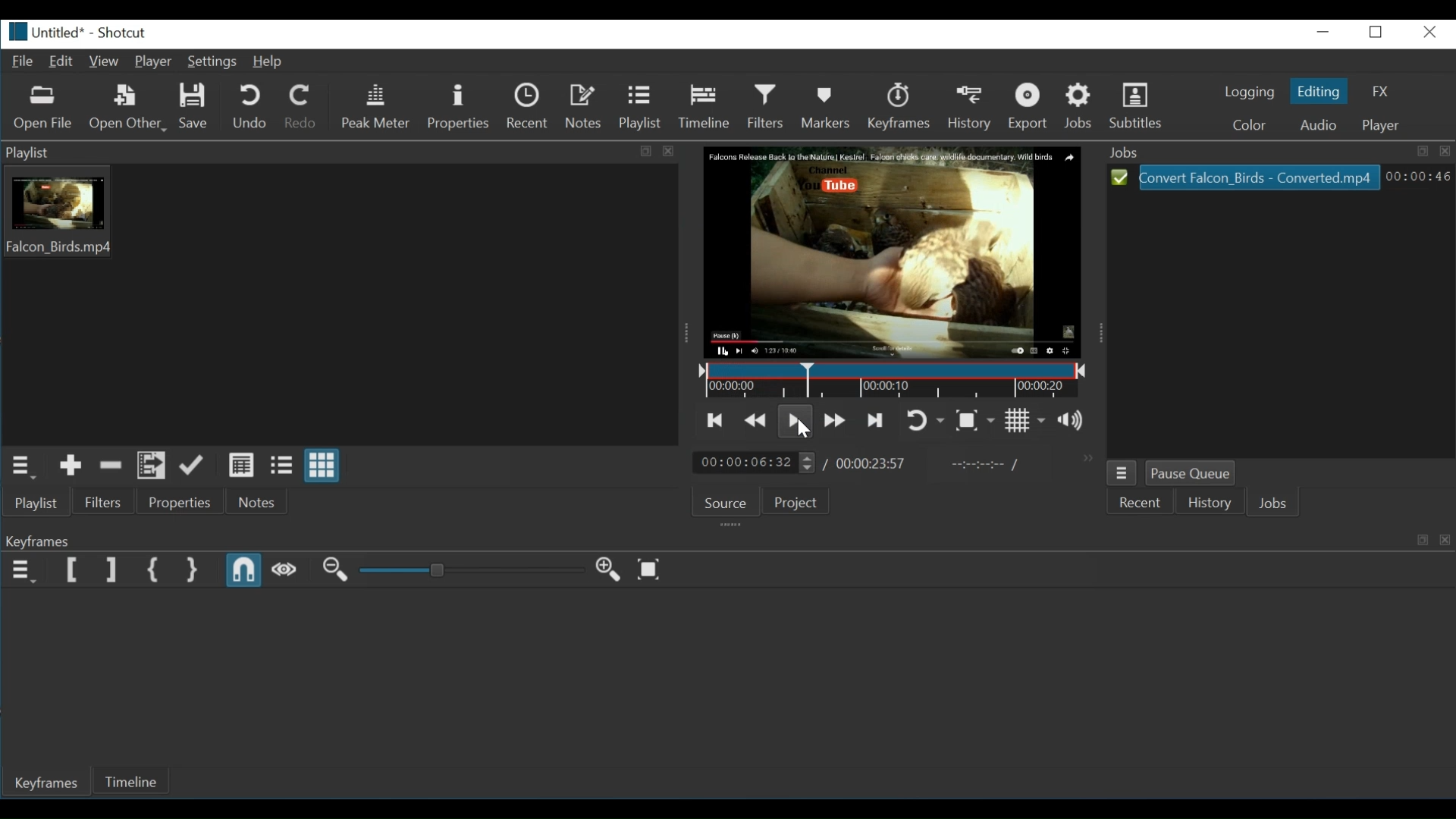 The width and height of the screenshot is (1456, 819). Describe the element at coordinates (874, 420) in the screenshot. I see `Skip to the next point` at that location.